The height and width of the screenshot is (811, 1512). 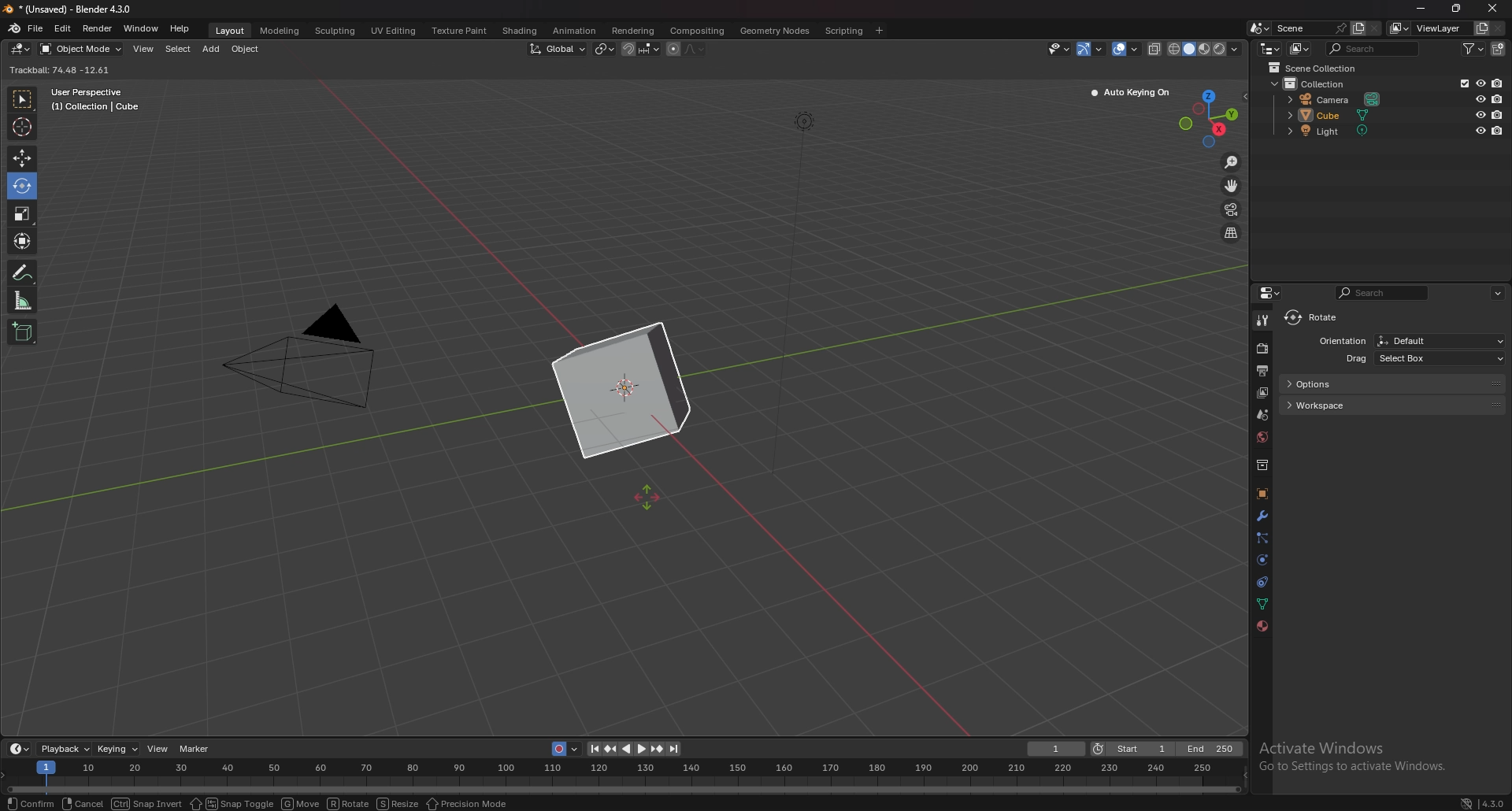 I want to click on blender, so click(x=14, y=28).